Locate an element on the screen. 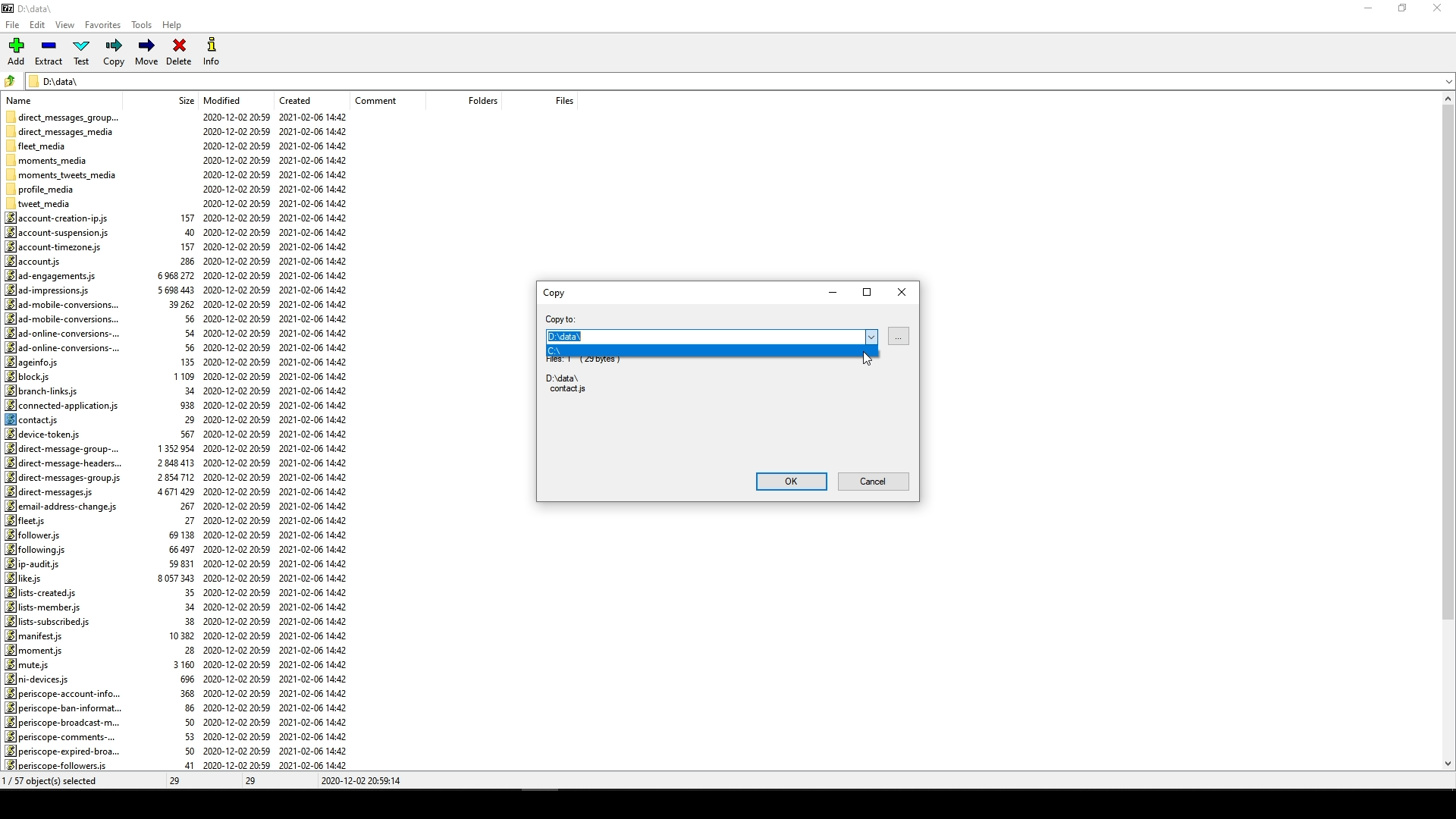 The width and height of the screenshot is (1456, 819). D:\data\
contacts is located at coordinates (565, 383).